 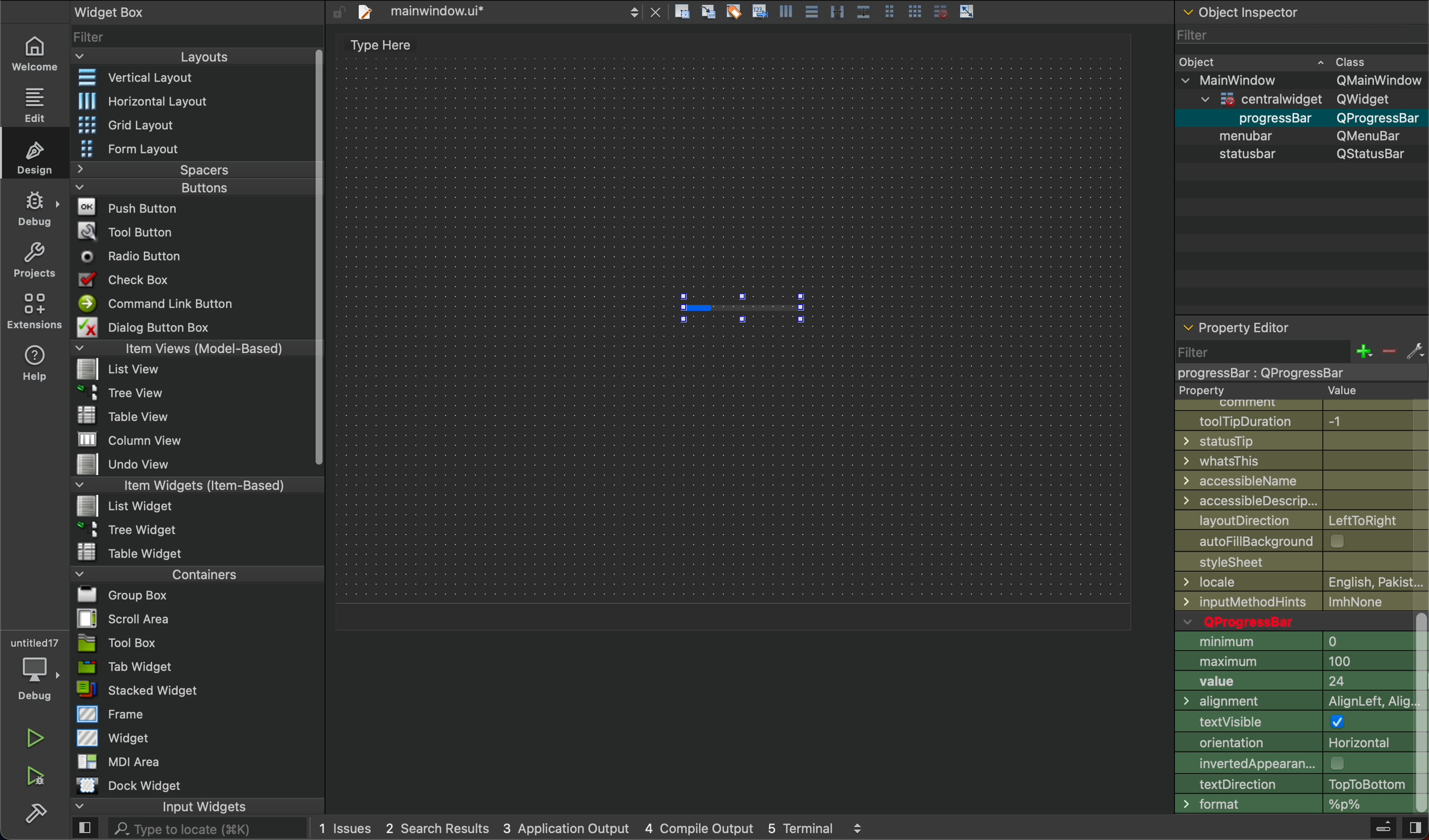 I want to click on Direction , so click(x=1291, y=784).